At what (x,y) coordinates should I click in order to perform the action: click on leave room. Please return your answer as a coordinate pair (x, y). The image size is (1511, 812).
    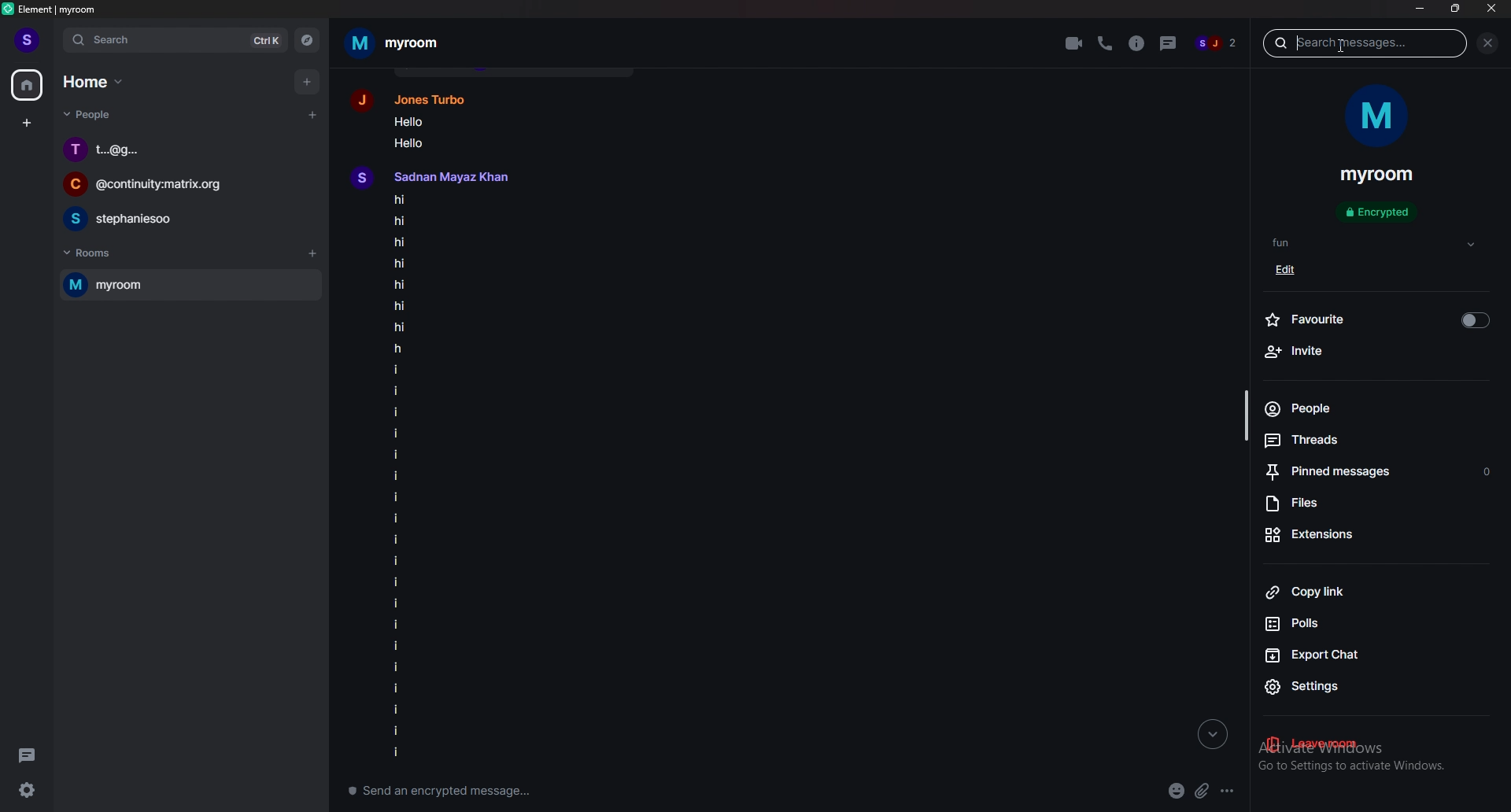
    Looking at the image, I should click on (1347, 746).